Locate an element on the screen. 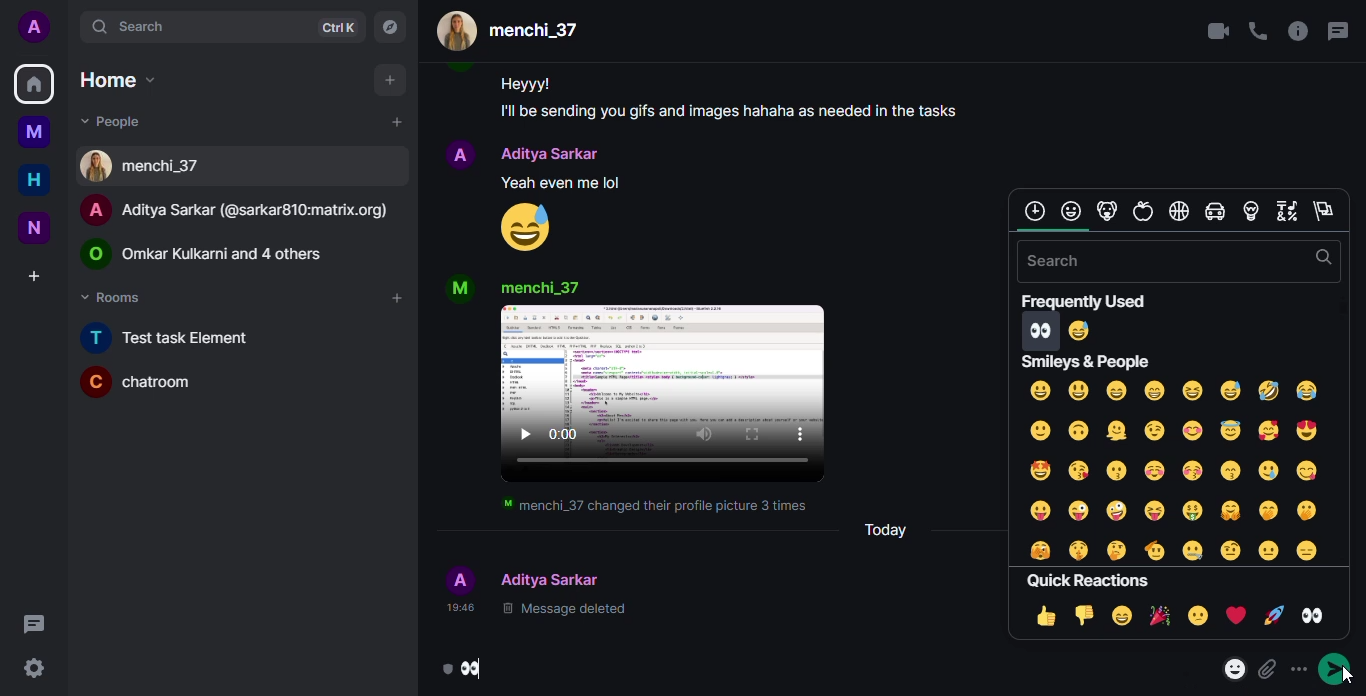 The height and width of the screenshot is (696, 1366). time is located at coordinates (455, 608).